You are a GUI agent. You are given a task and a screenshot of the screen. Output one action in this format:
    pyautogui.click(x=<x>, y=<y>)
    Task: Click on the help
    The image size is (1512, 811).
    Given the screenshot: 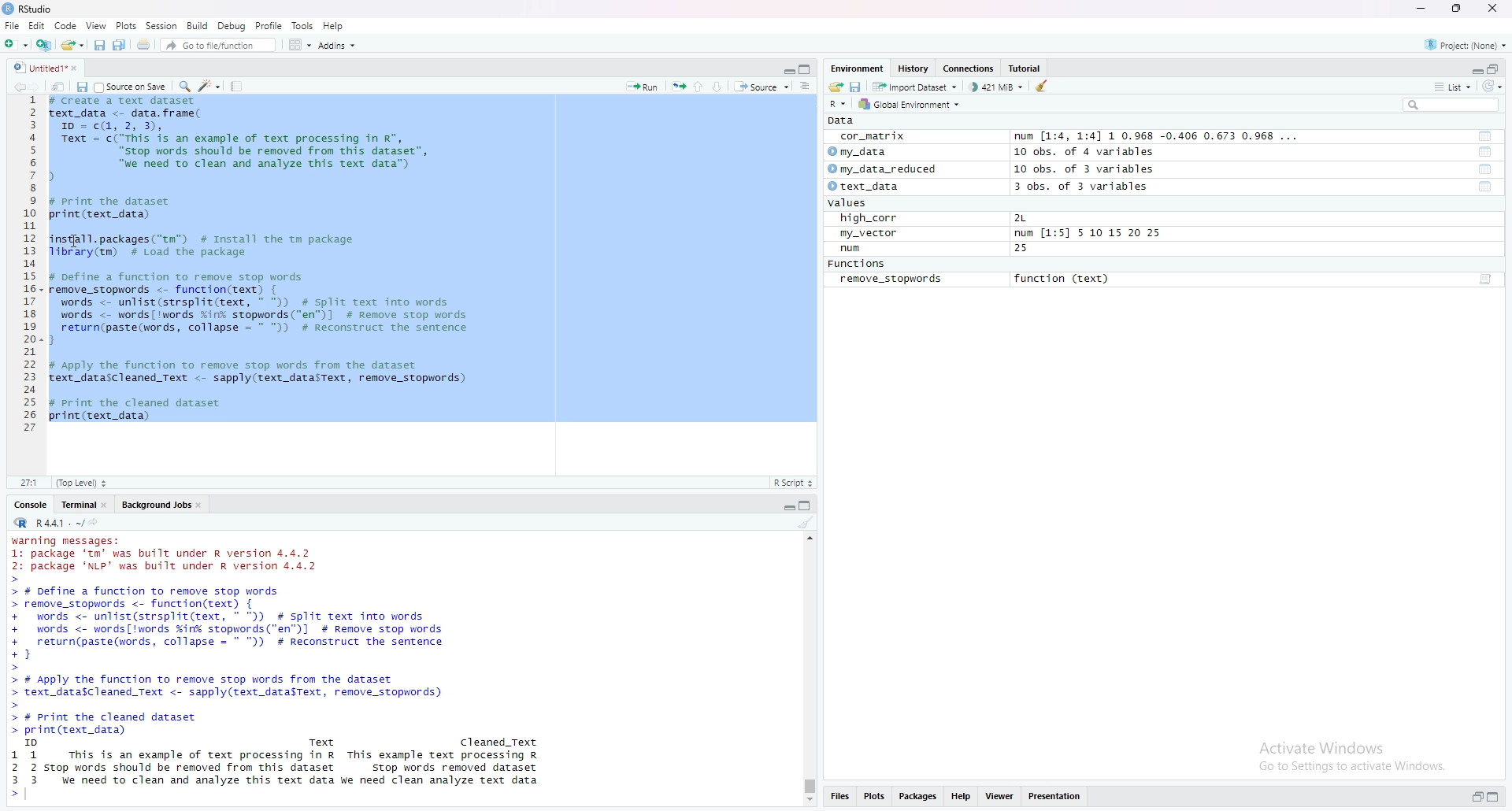 What is the action you would take?
    pyautogui.click(x=960, y=796)
    